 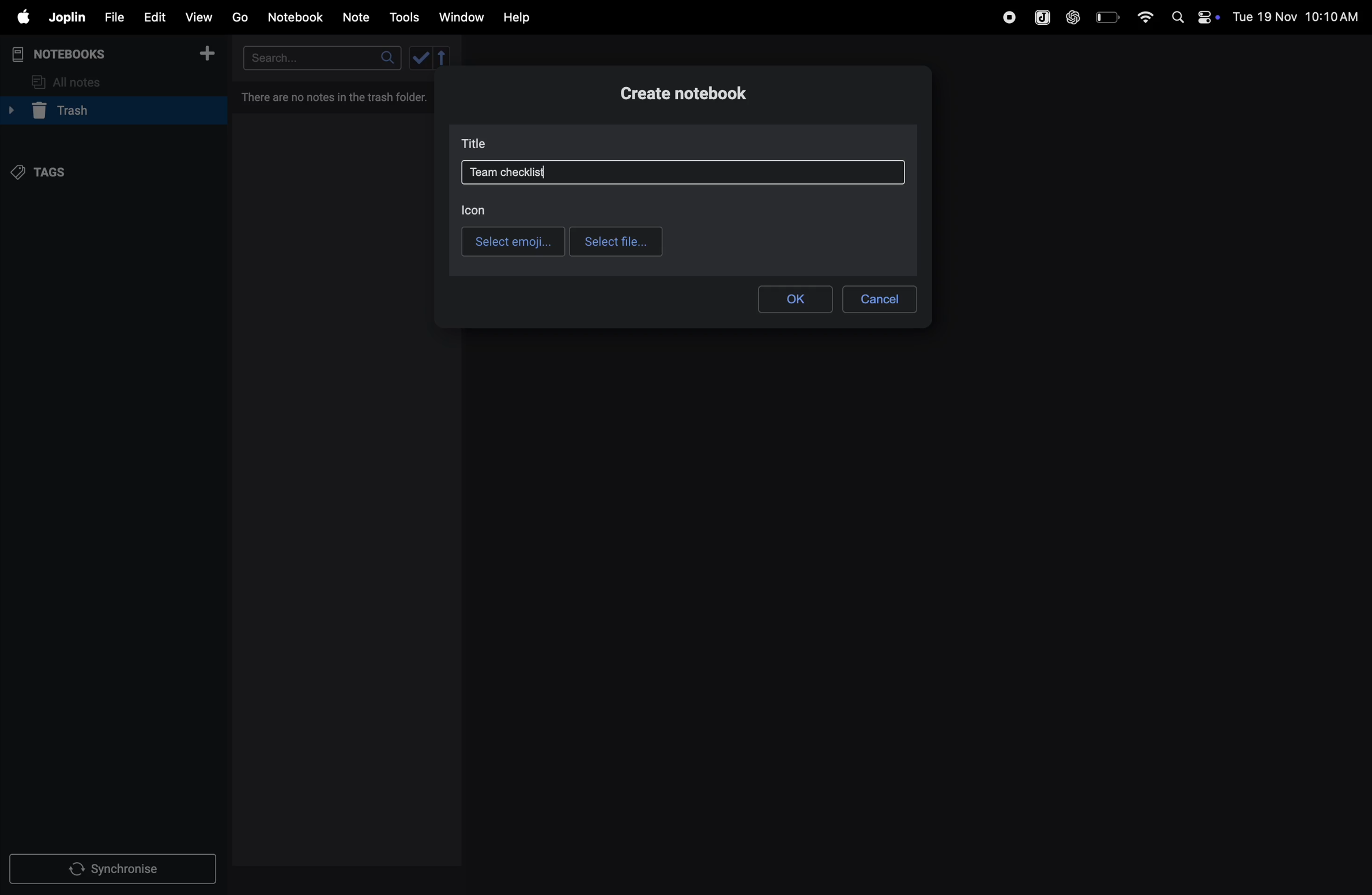 I want to click on view, so click(x=201, y=16).